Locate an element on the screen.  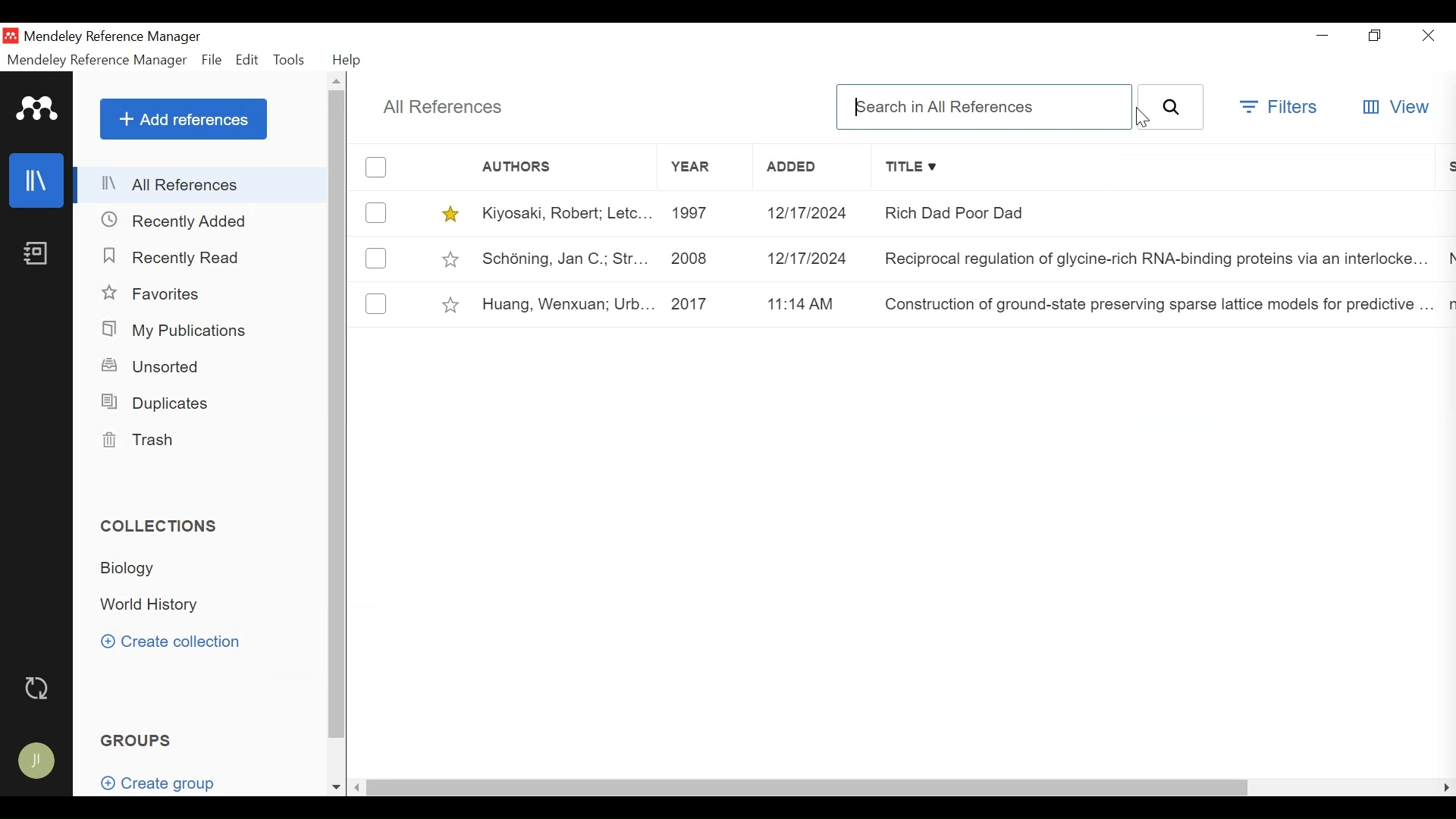
Search is located at coordinates (1172, 107).